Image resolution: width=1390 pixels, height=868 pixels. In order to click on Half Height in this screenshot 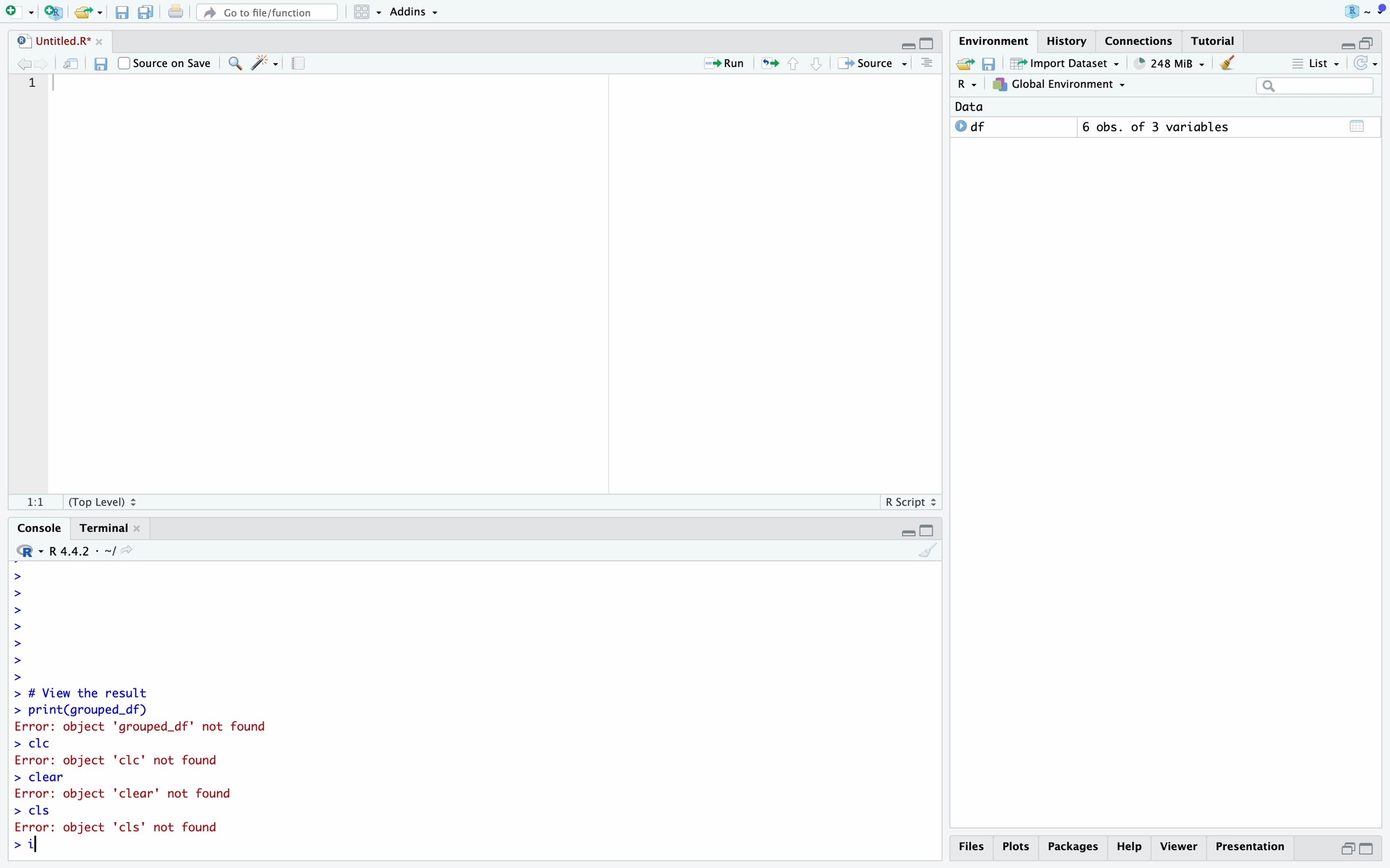, I will do `click(1345, 848)`.